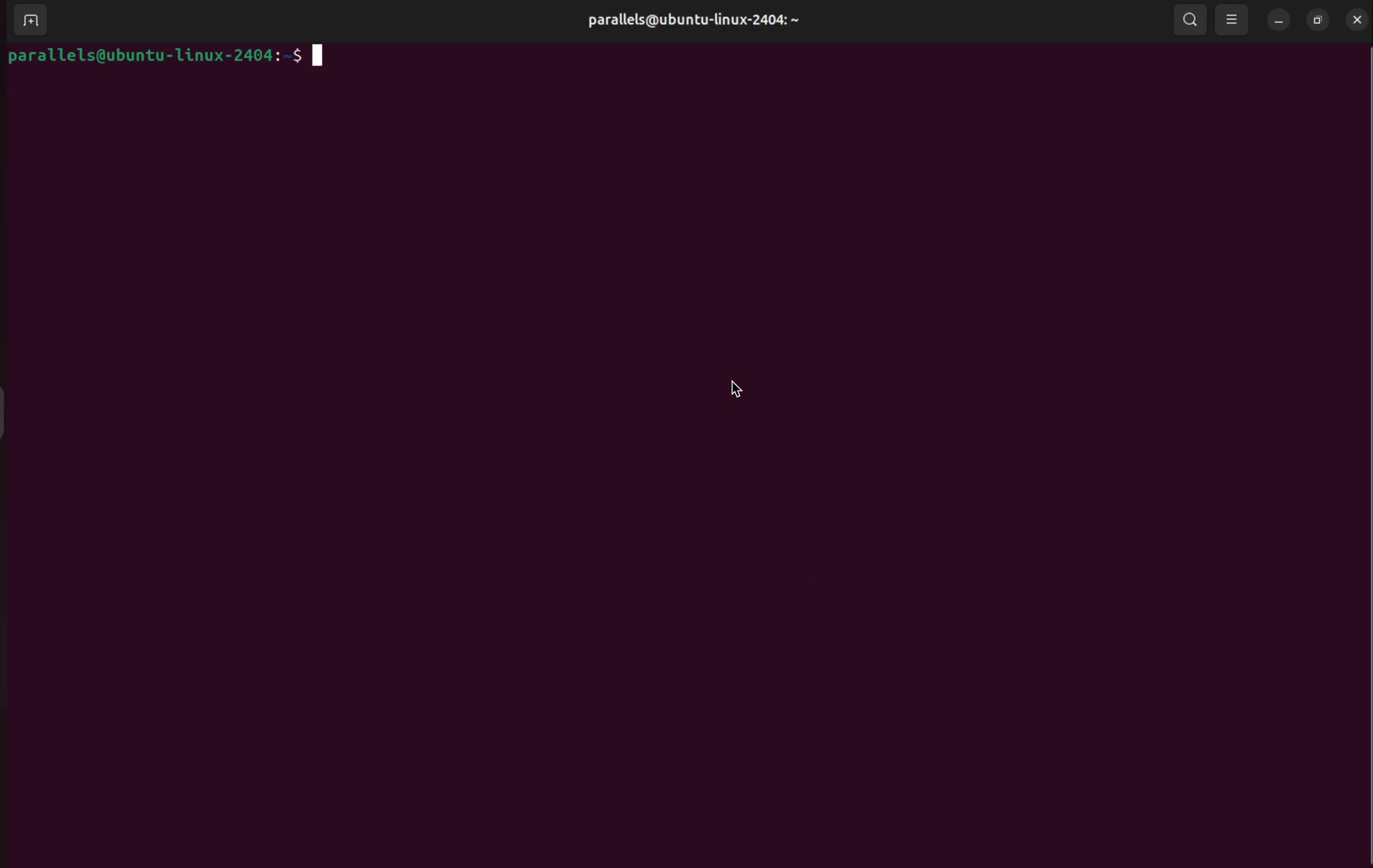  What do you see at coordinates (1352, 20) in the screenshot?
I see `close` at bounding box center [1352, 20].